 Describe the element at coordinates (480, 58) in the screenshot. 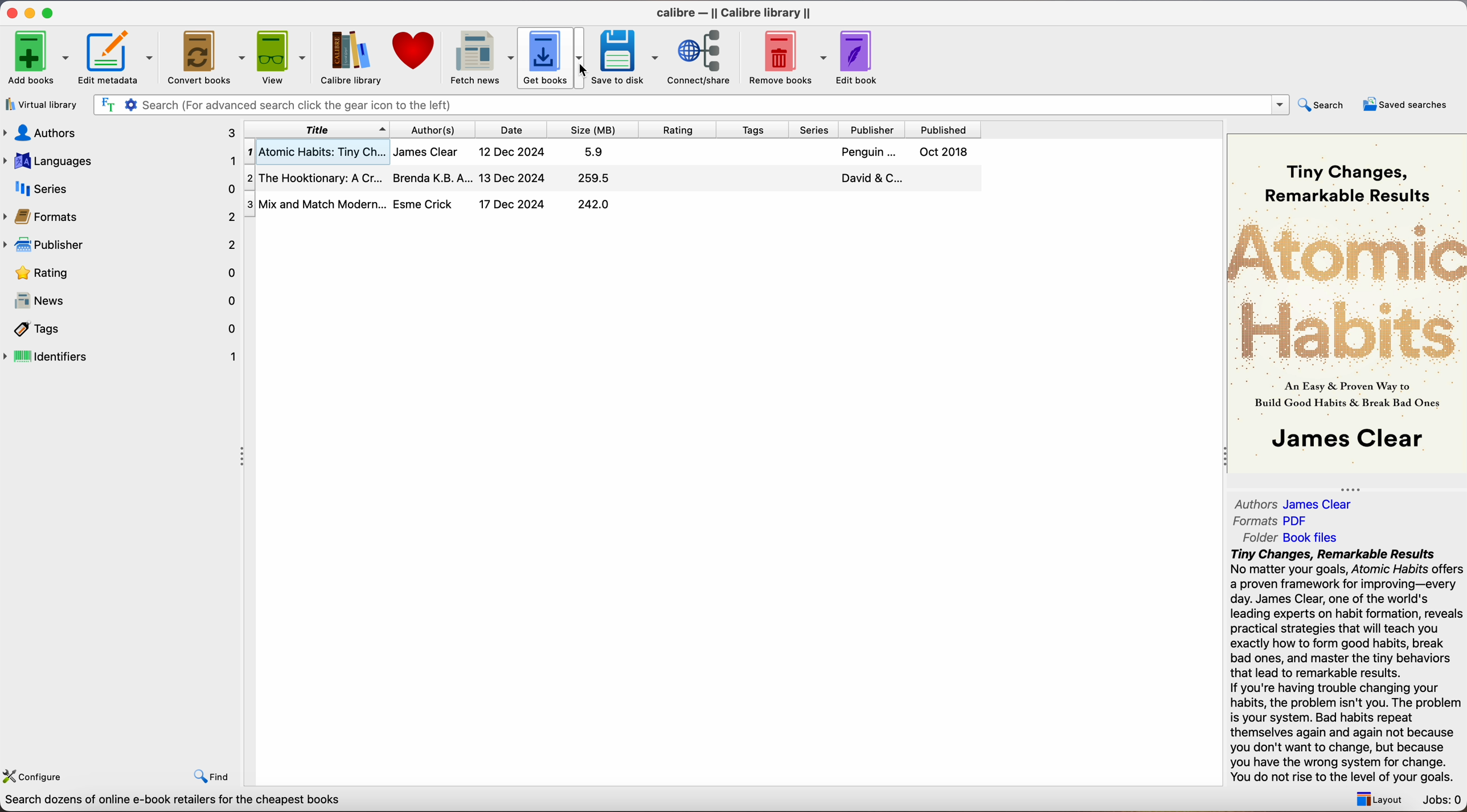

I see `fetch news` at that location.